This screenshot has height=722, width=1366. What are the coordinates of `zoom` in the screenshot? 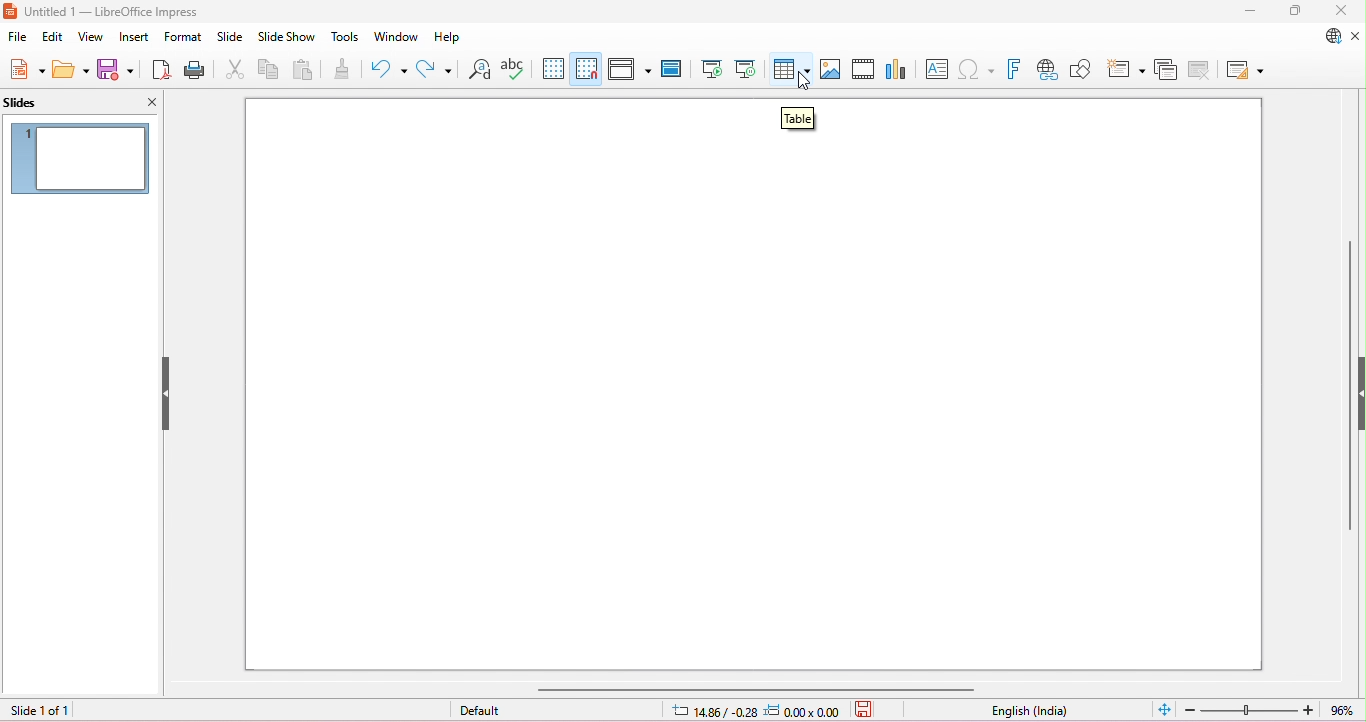 It's located at (1271, 710).